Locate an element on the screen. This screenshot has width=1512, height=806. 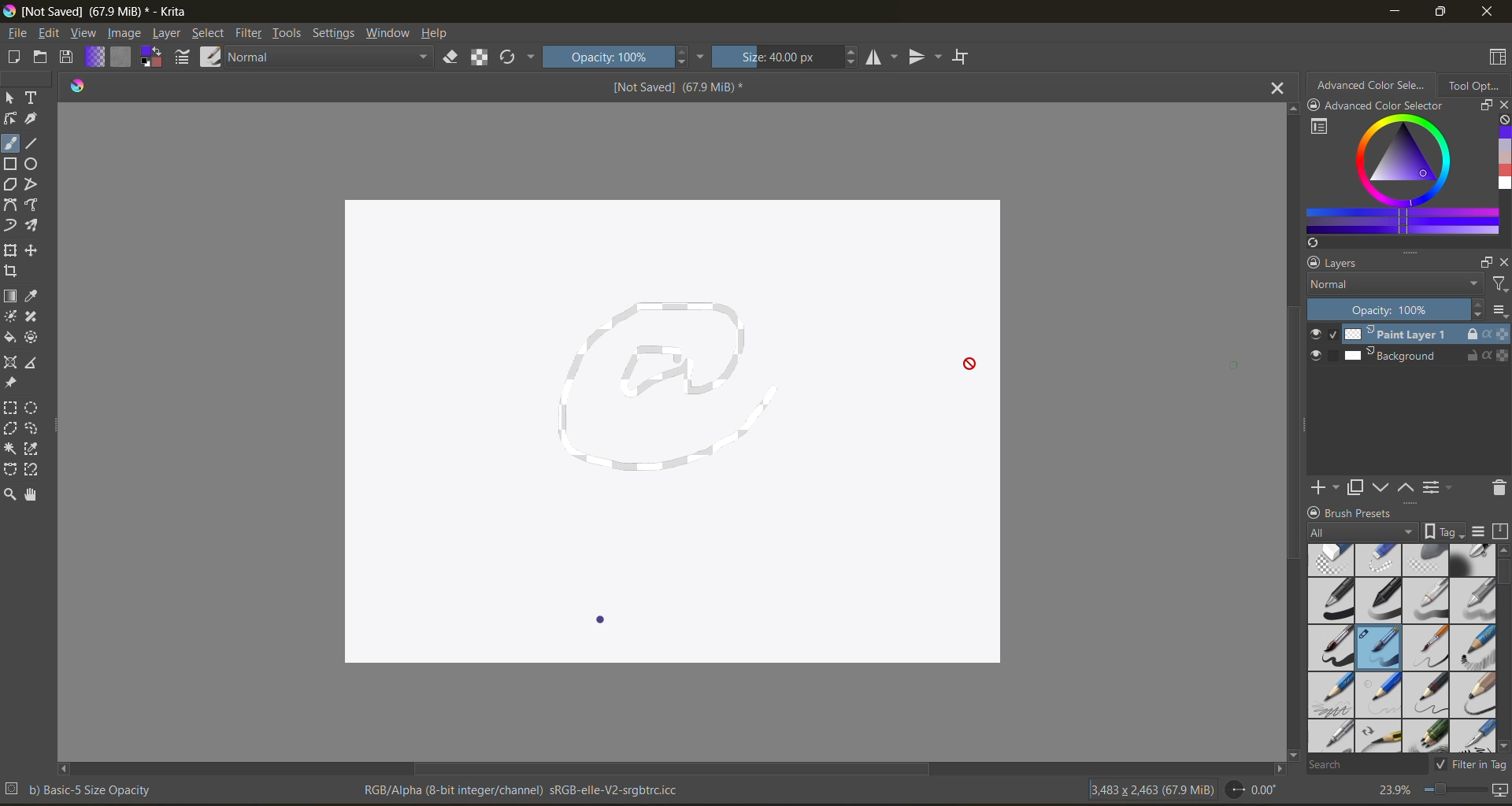
horizontal scroll bar is located at coordinates (694, 771).